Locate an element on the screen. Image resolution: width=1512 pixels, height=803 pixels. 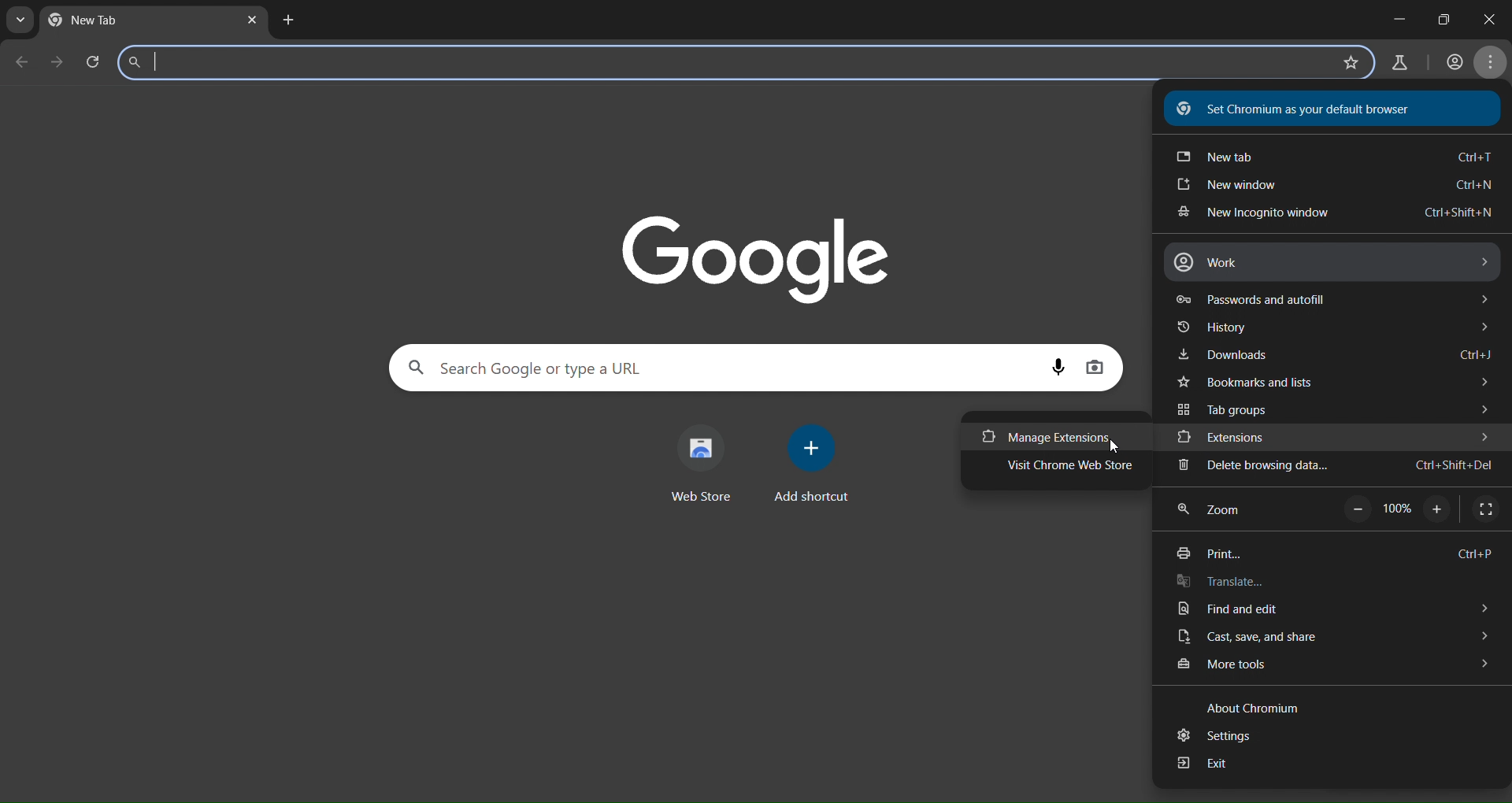
bookmark page is located at coordinates (1351, 62).